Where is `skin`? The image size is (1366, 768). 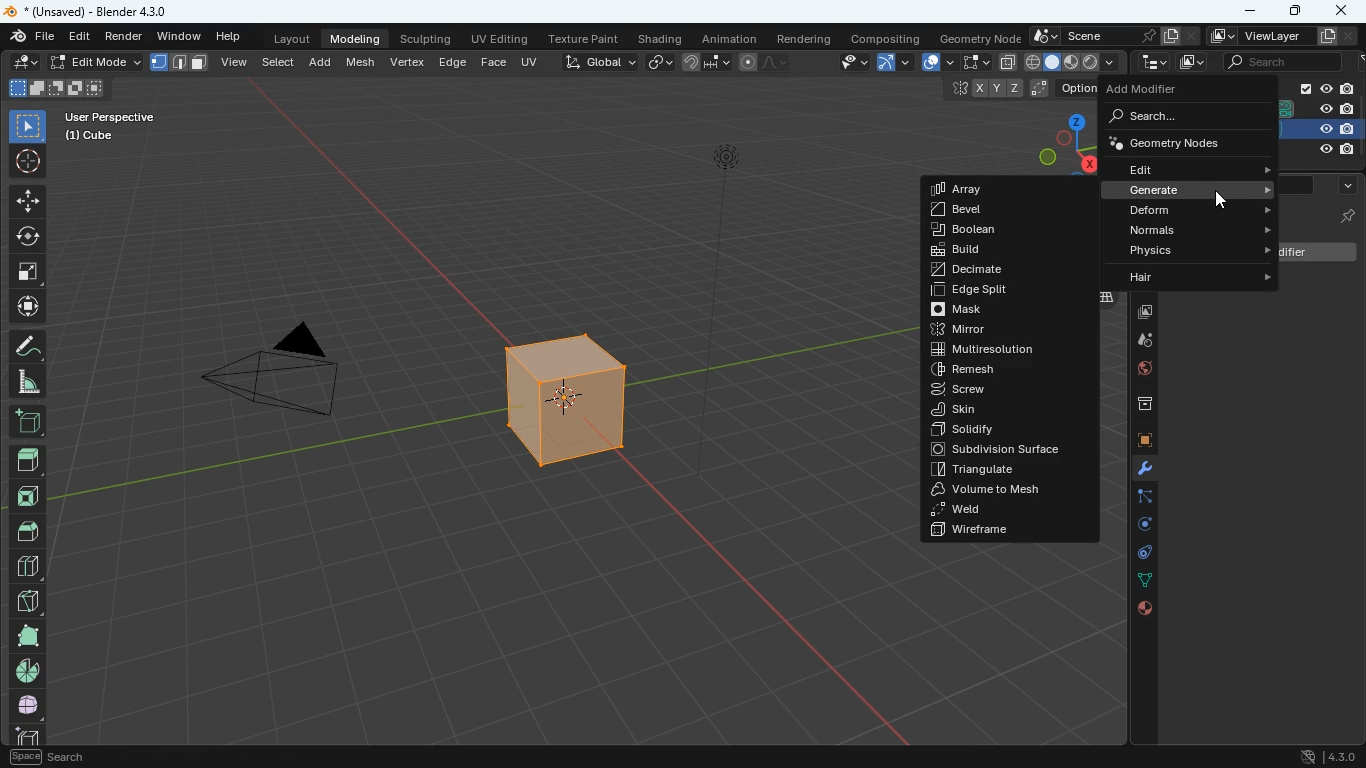 skin is located at coordinates (992, 410).